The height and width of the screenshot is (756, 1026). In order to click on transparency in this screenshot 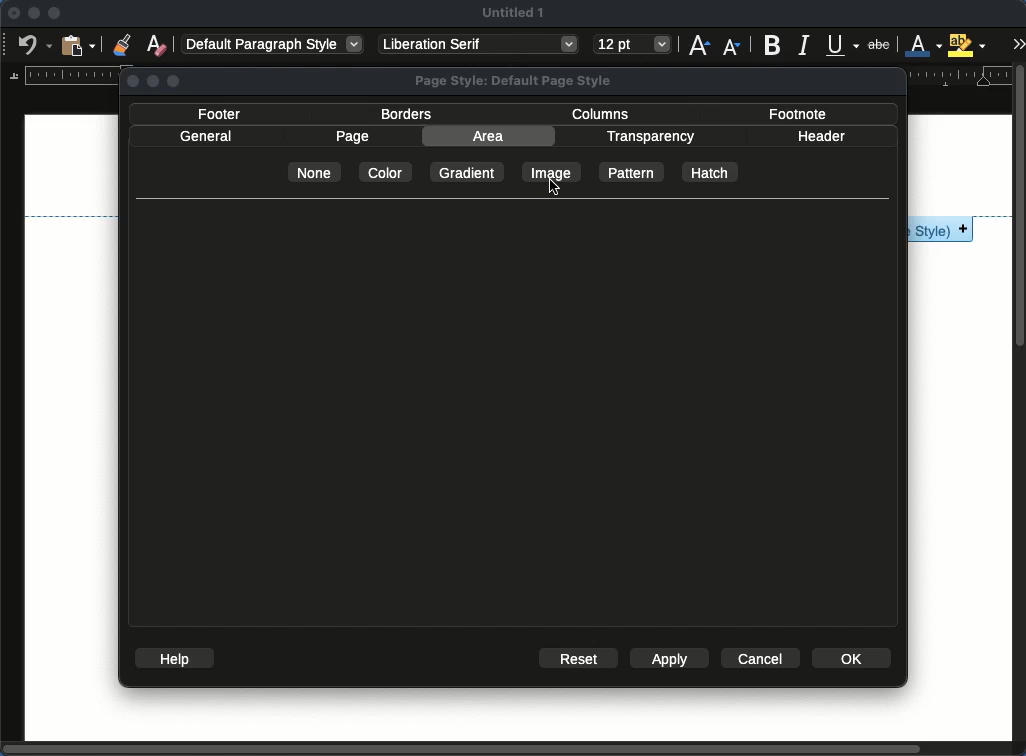, I will do `click(652, 137)`.